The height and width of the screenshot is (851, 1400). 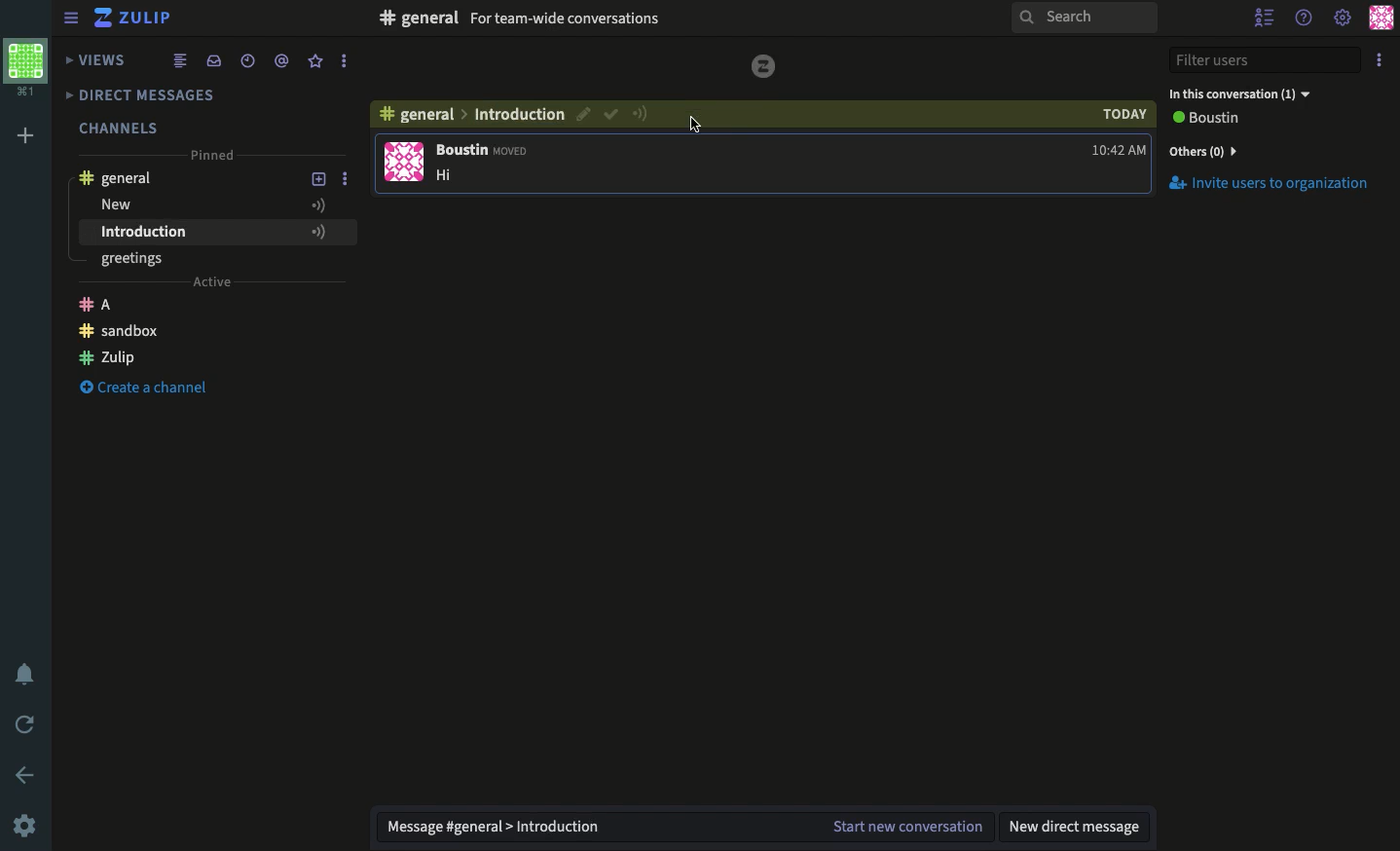 I want to click on Refresh, so click(x=27, y=724).